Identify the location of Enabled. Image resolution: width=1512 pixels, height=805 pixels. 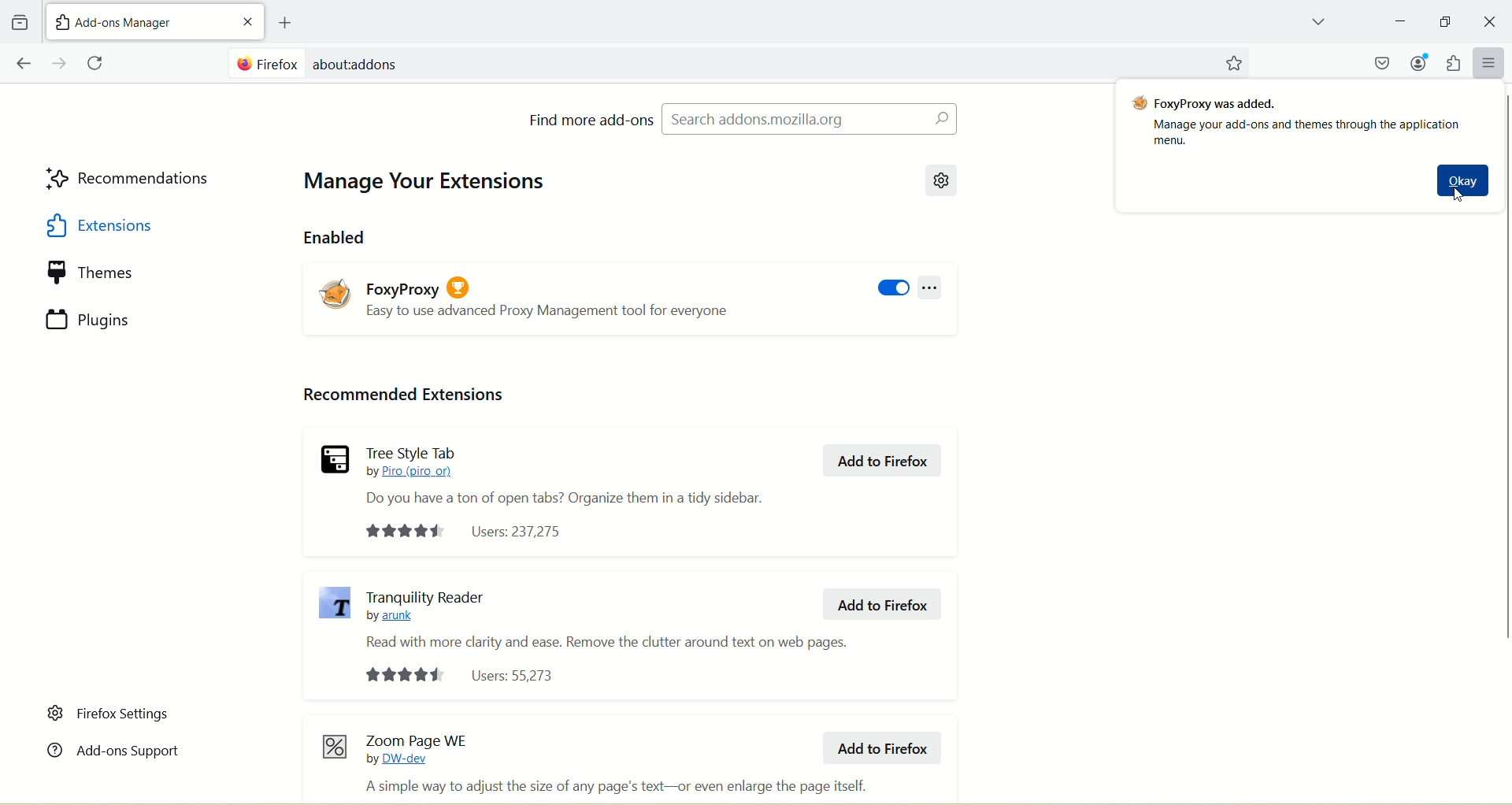
(335, 236).